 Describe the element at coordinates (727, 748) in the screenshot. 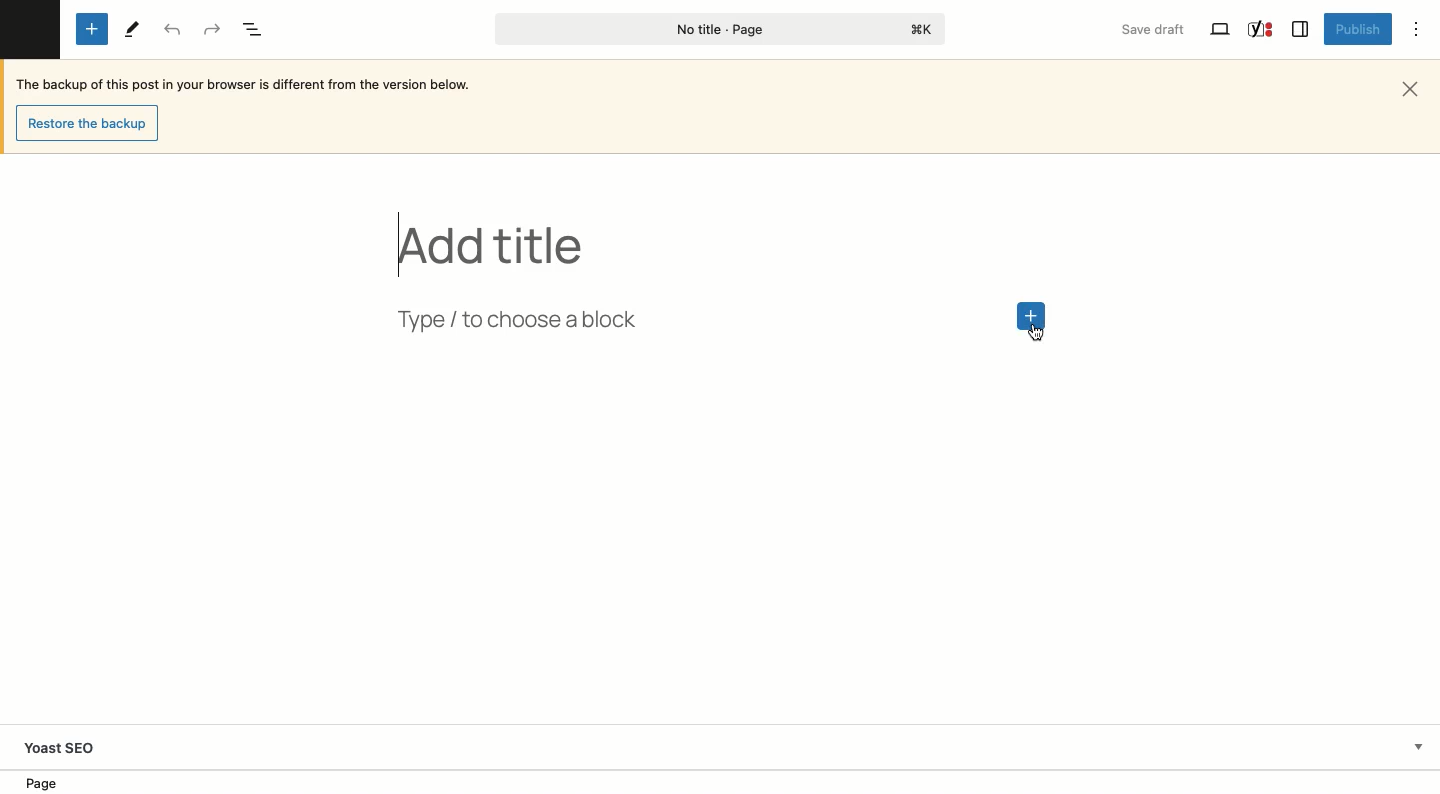

I see `Yoast SEO` at that location.